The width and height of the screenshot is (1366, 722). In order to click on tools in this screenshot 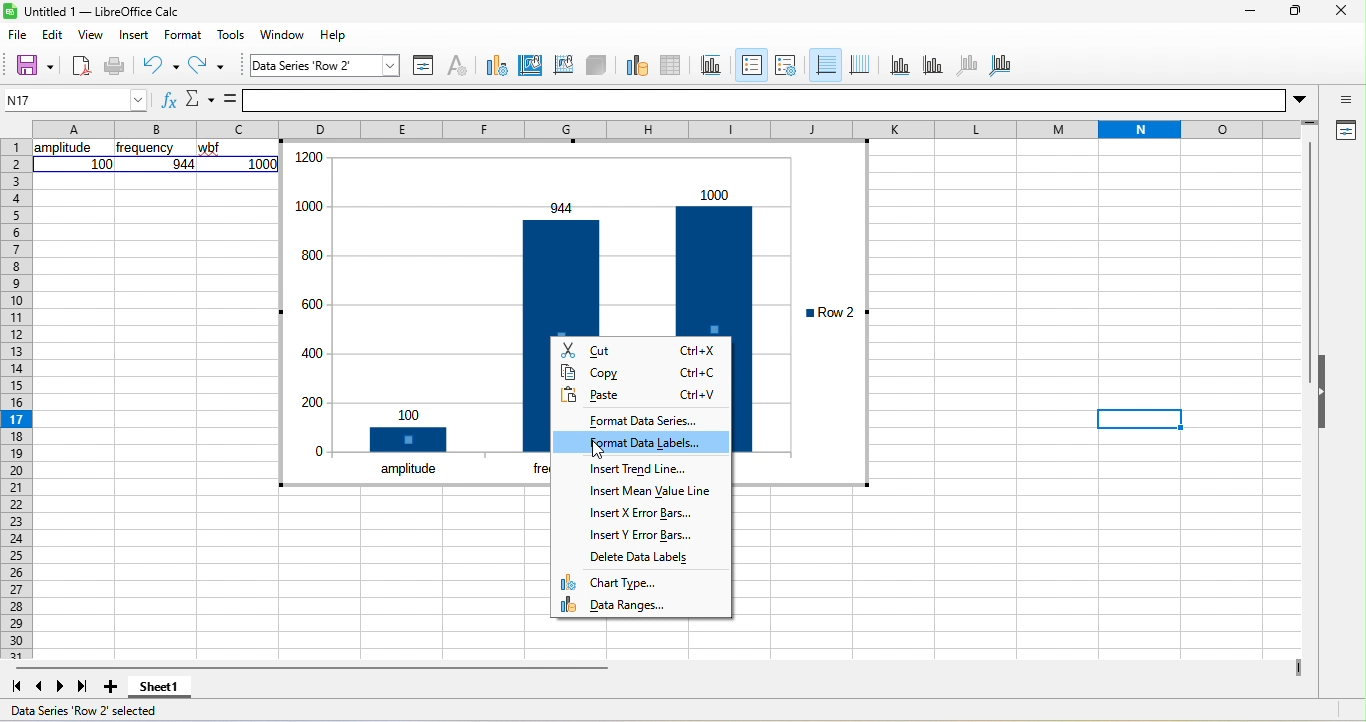, I will do `click(230, 34)`.